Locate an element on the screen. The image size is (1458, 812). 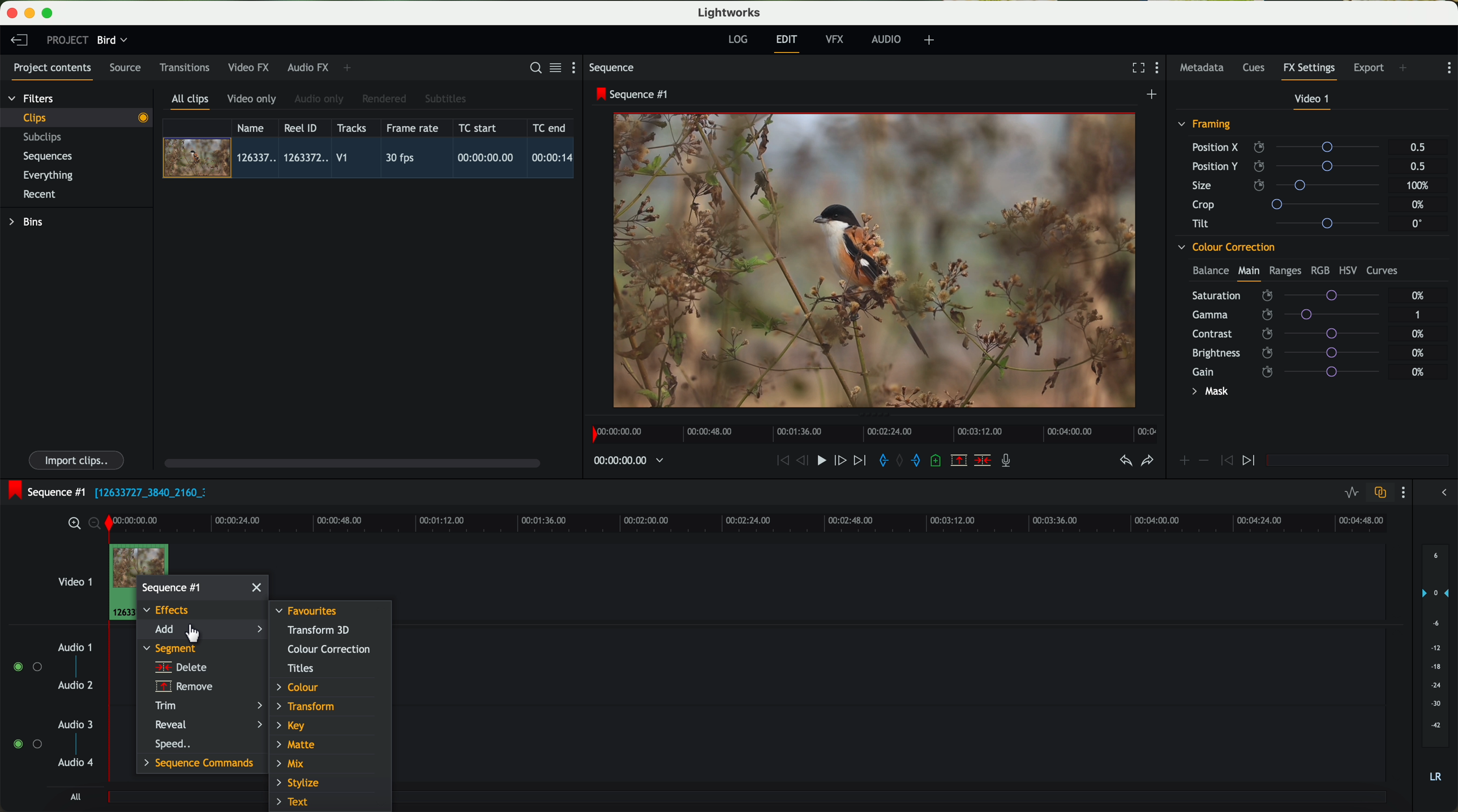
icon is located at coordinates (1225, 461).